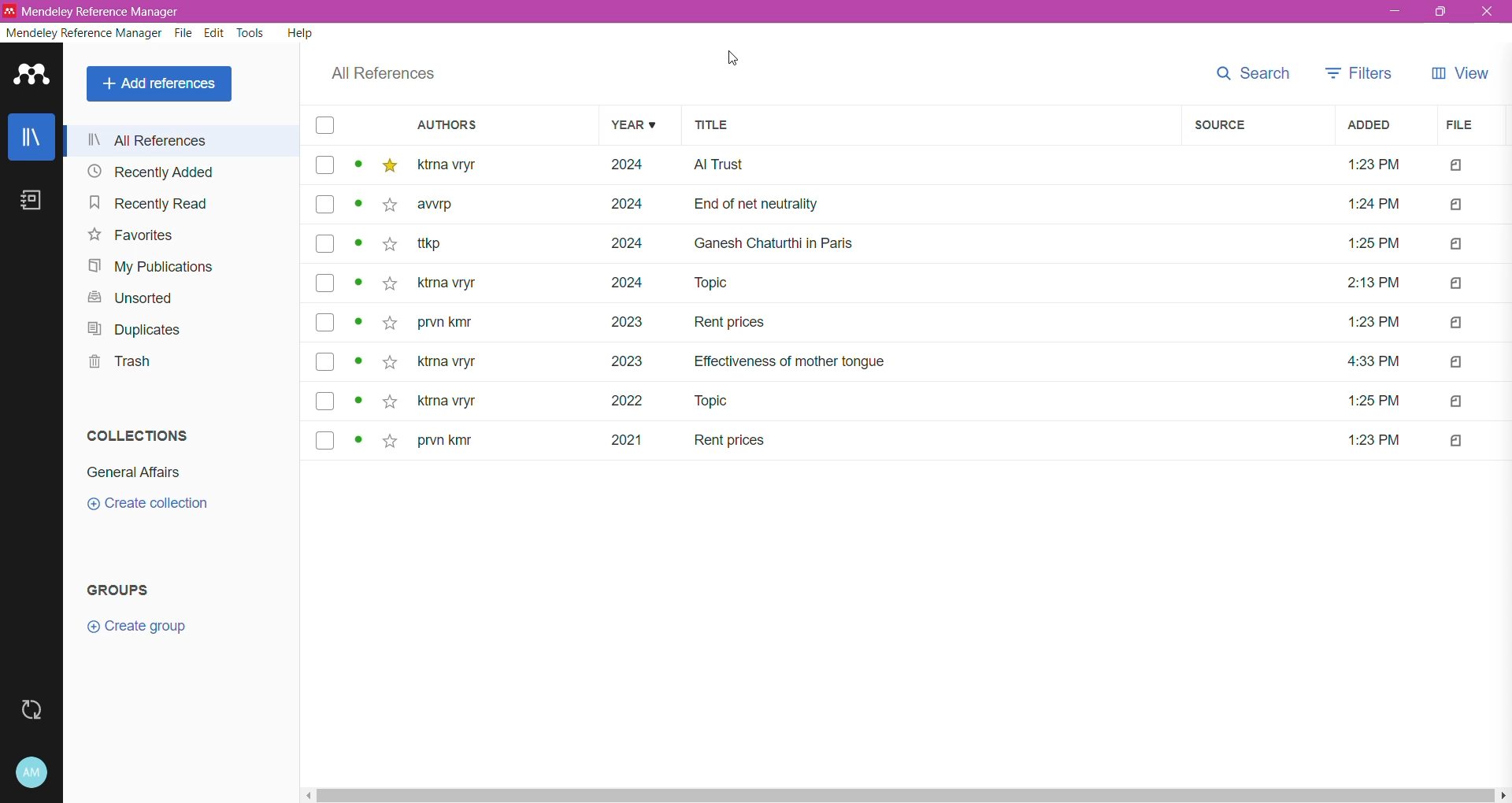 This screenshot has width=1512, height=803. Describe the element at coordinates (729, 441) in the screenshot. I see `rent prices` at that location.